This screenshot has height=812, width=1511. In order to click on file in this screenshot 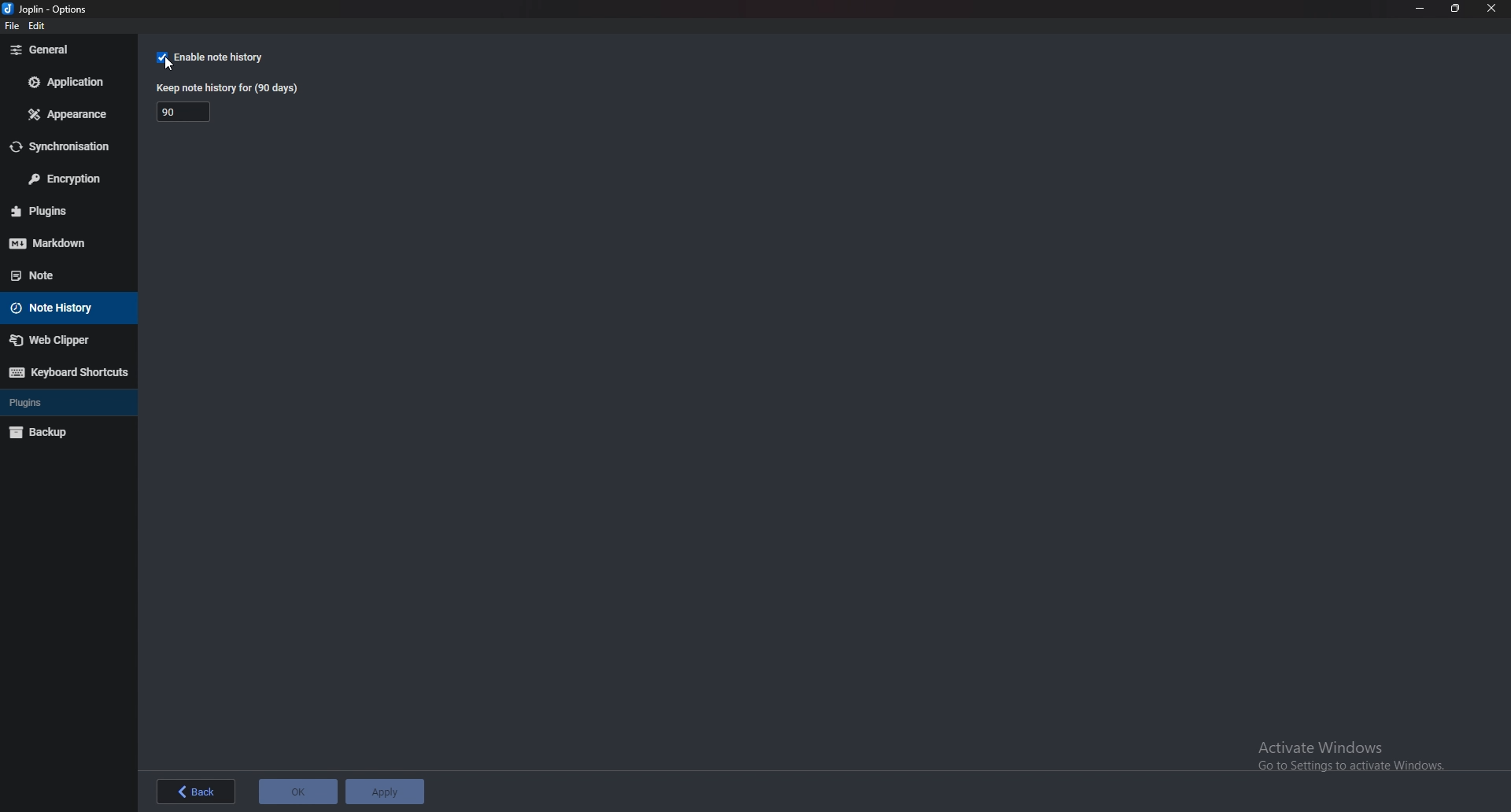, I will do `click(11, 27)`.